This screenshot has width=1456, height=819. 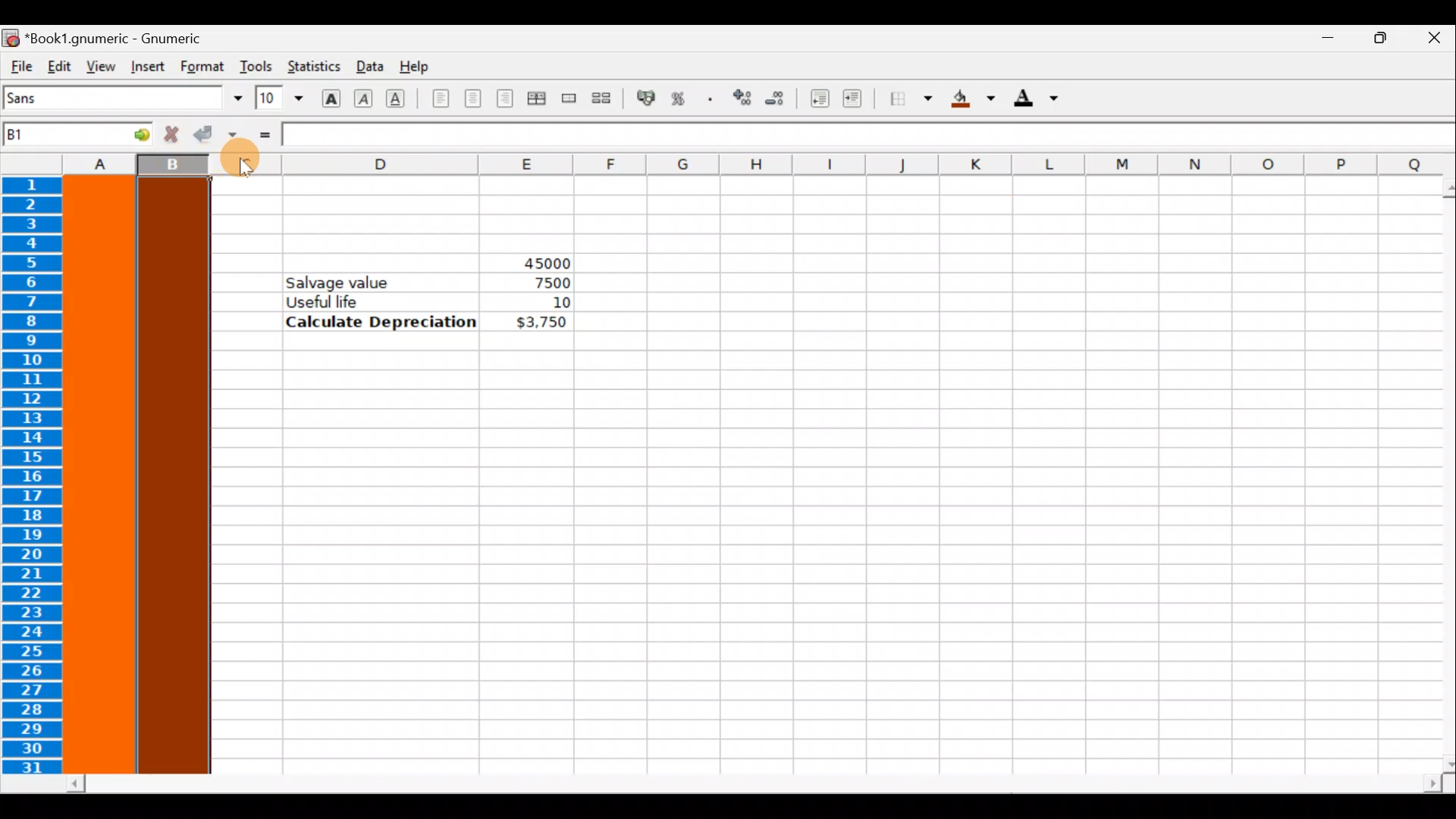 I want to click on Font size 10, so click(x=275, y=99).